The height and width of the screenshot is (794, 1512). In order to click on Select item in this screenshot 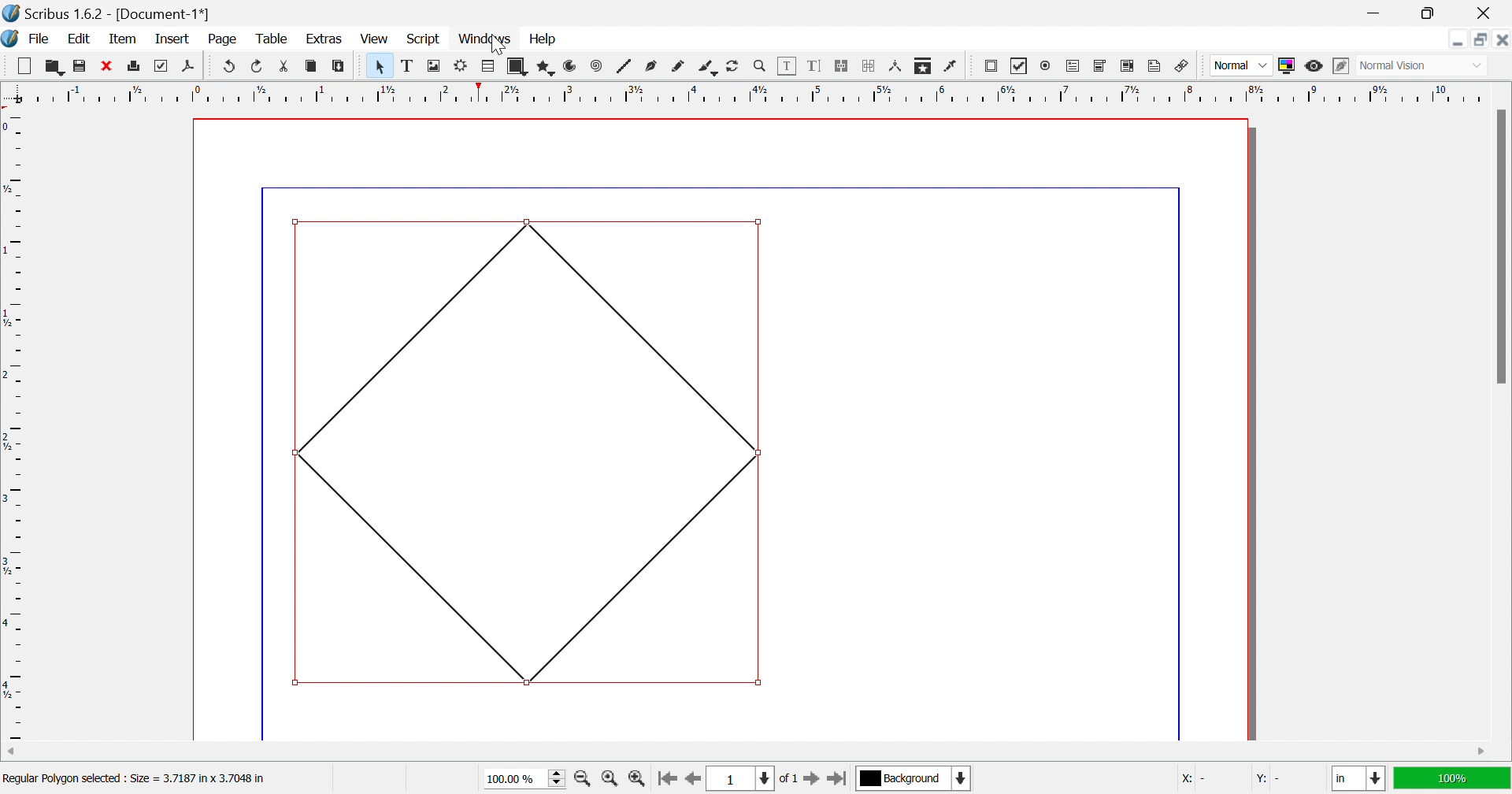, I will do `click(383, 66)`.